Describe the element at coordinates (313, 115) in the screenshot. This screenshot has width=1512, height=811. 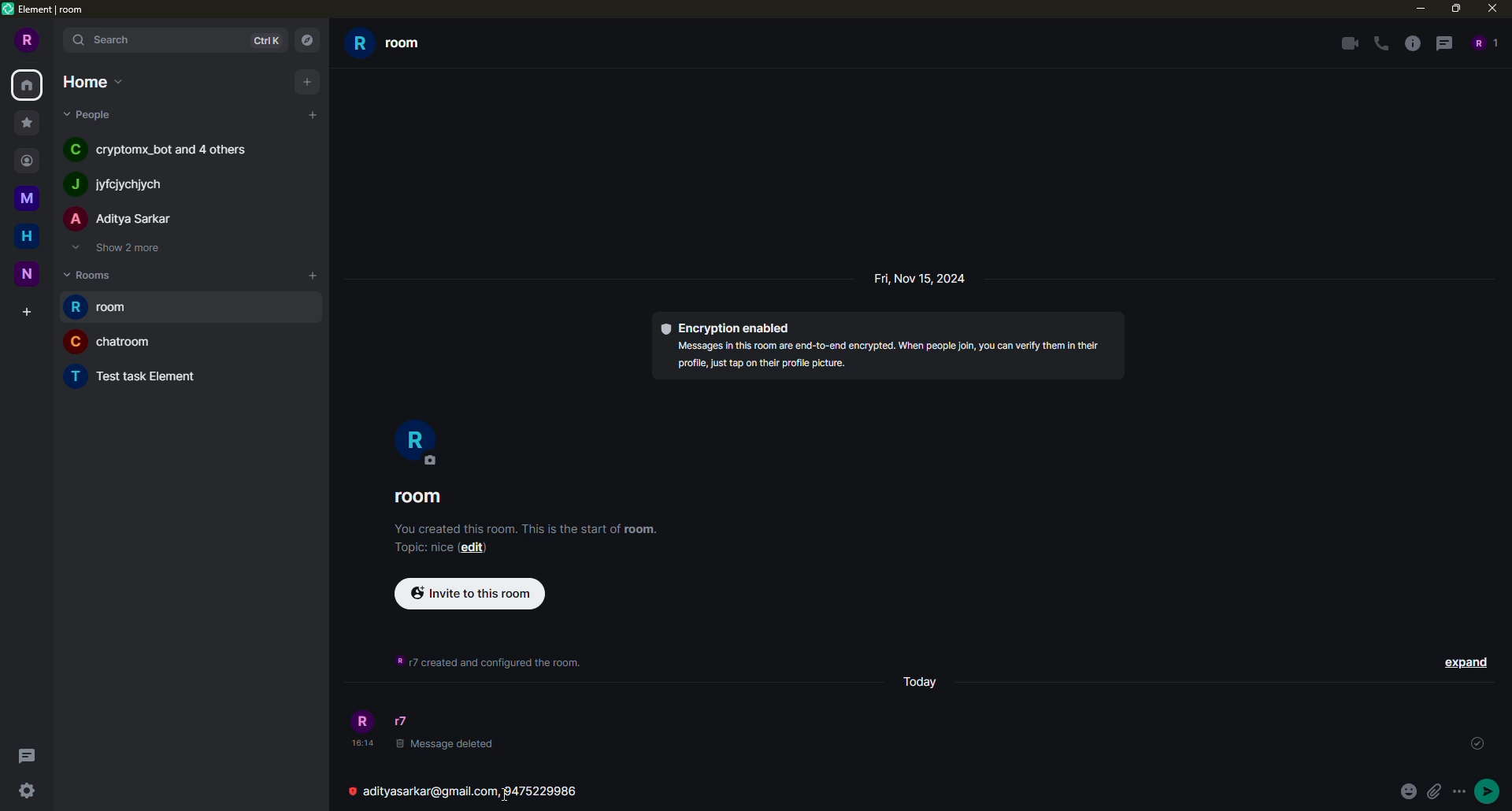
I see `add` at that location.